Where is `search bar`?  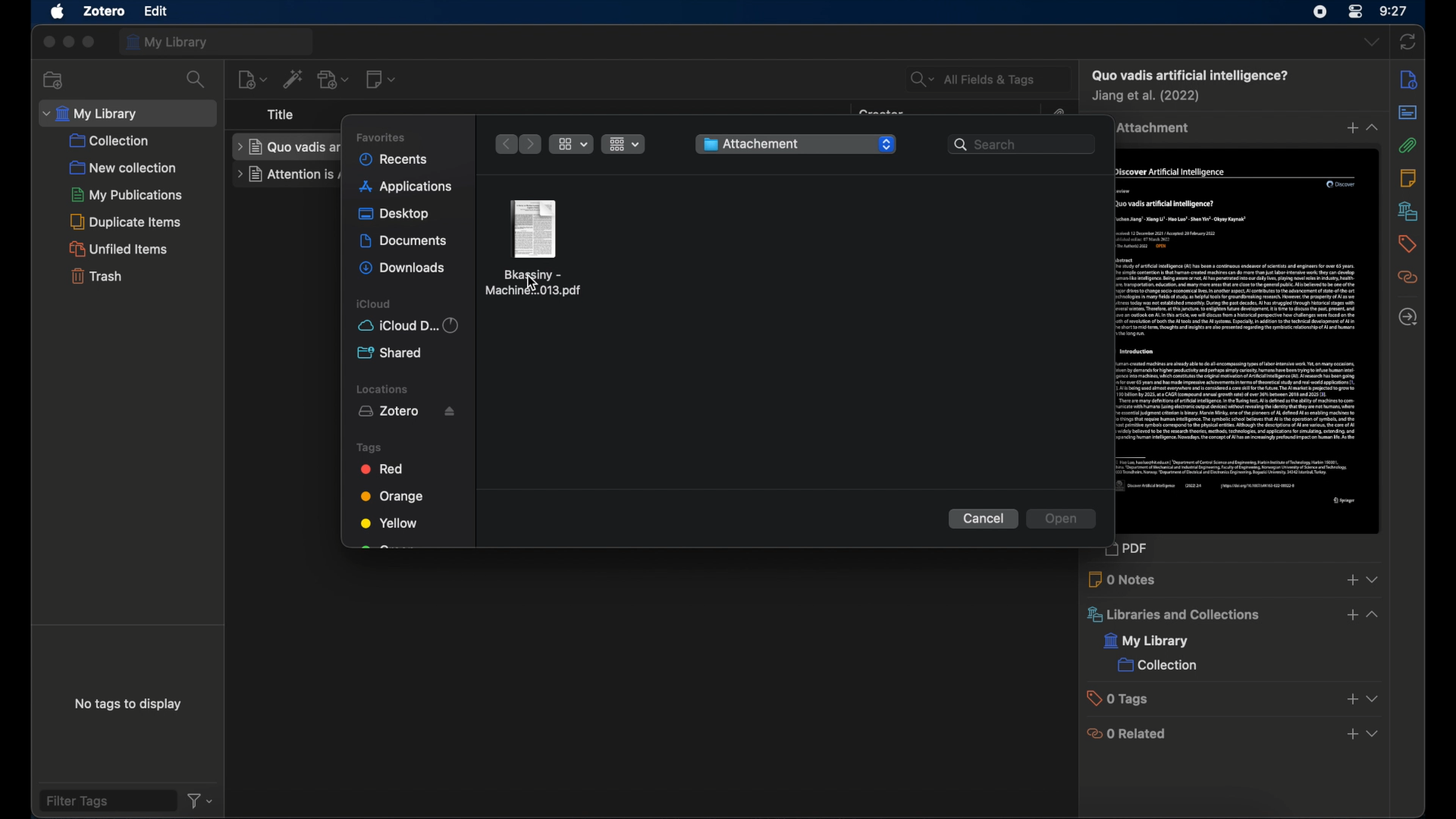 search bar is located at coordinates (1021, 143).